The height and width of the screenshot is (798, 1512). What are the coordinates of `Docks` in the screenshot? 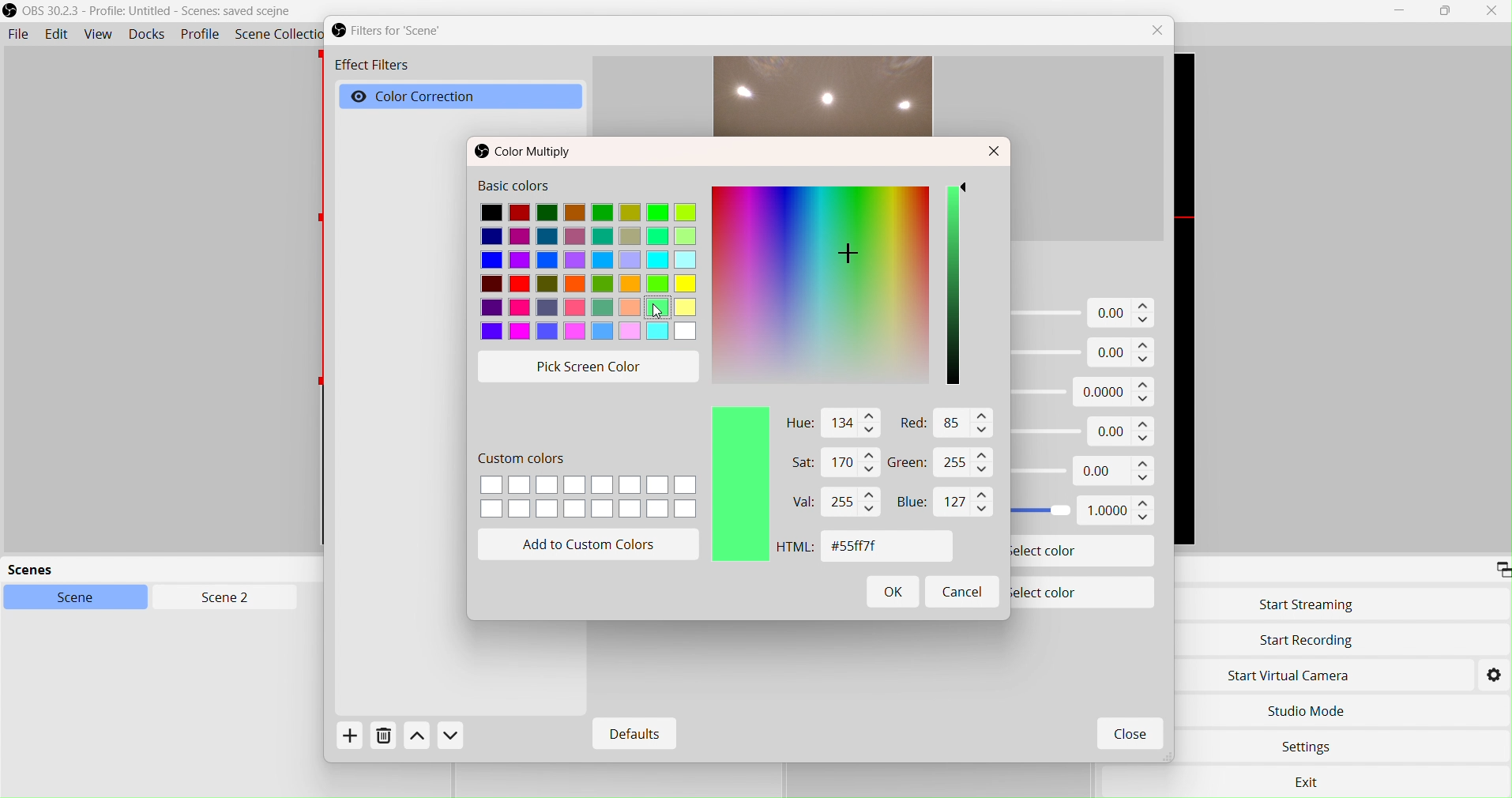 It's located at (151, 36).